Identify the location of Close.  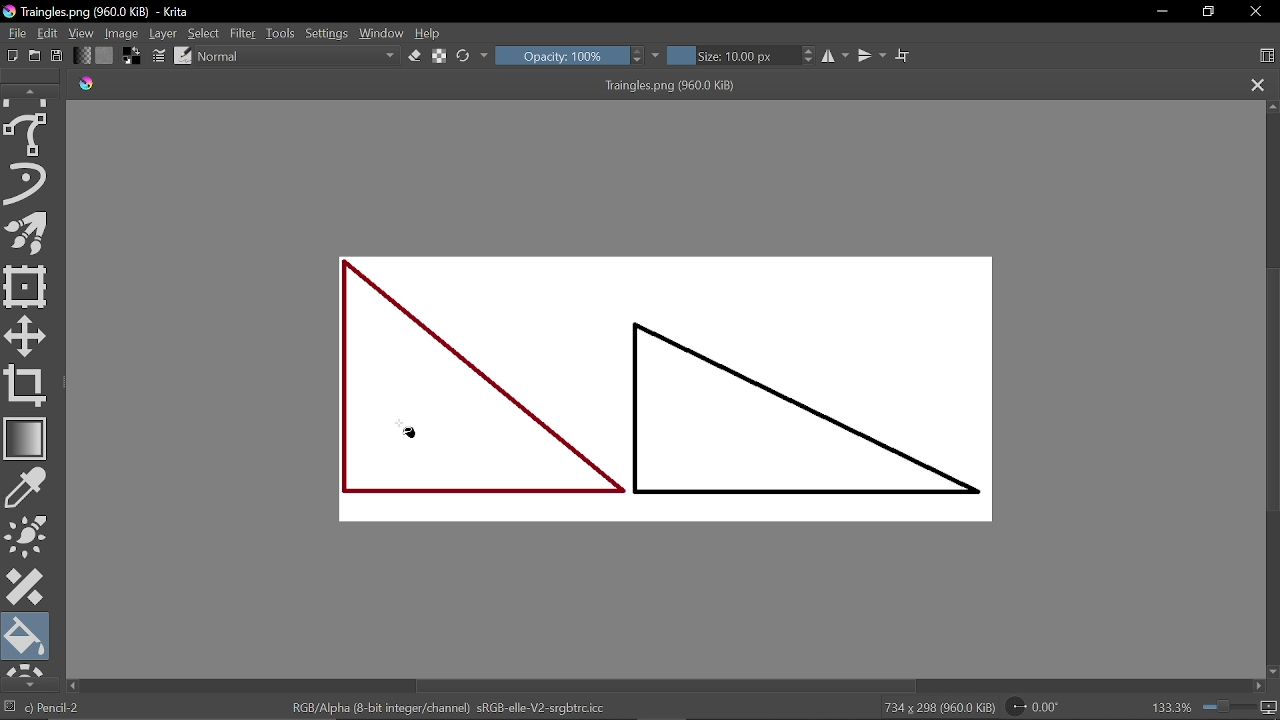
(1255, 13).